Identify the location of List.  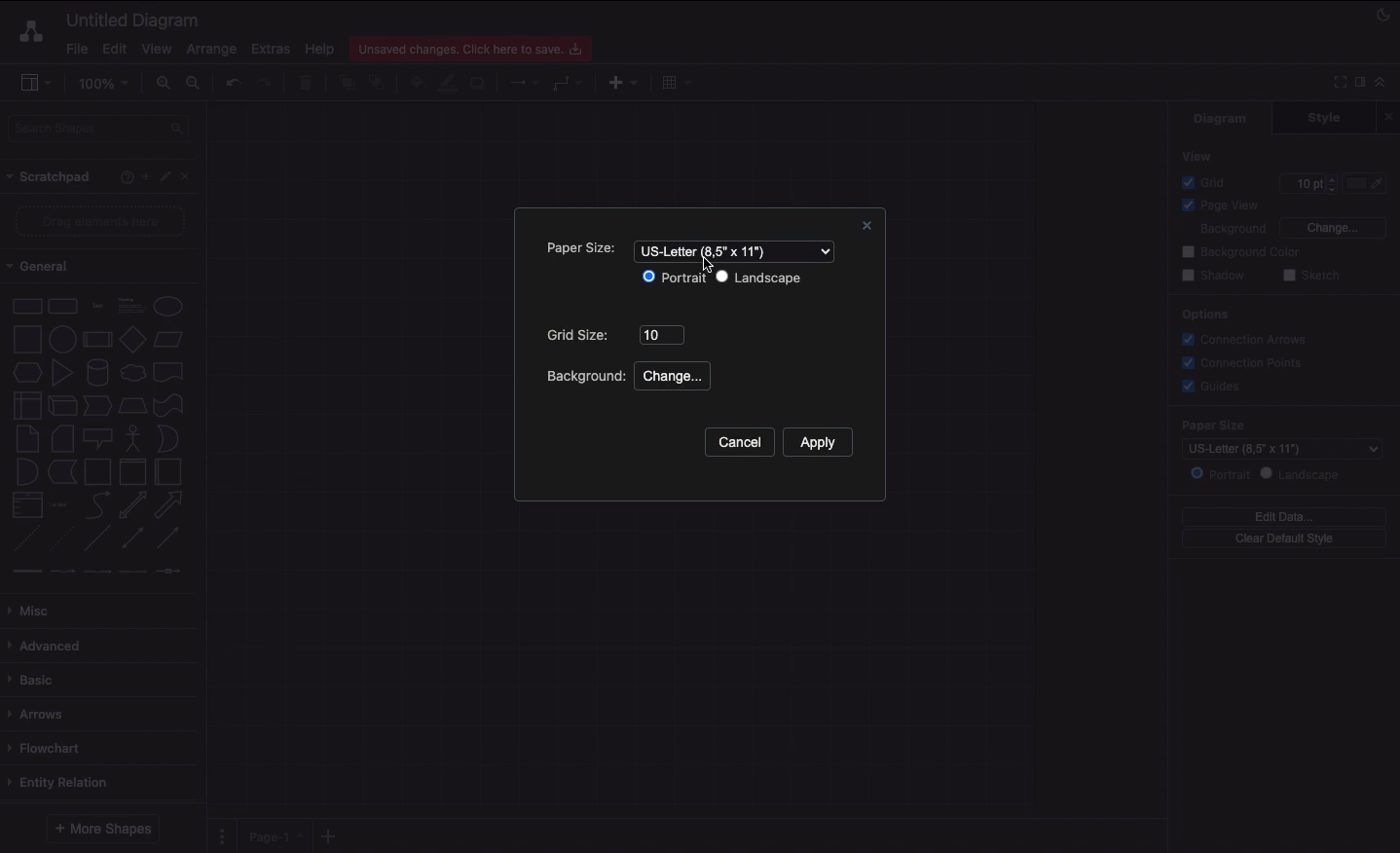
(25, 505).